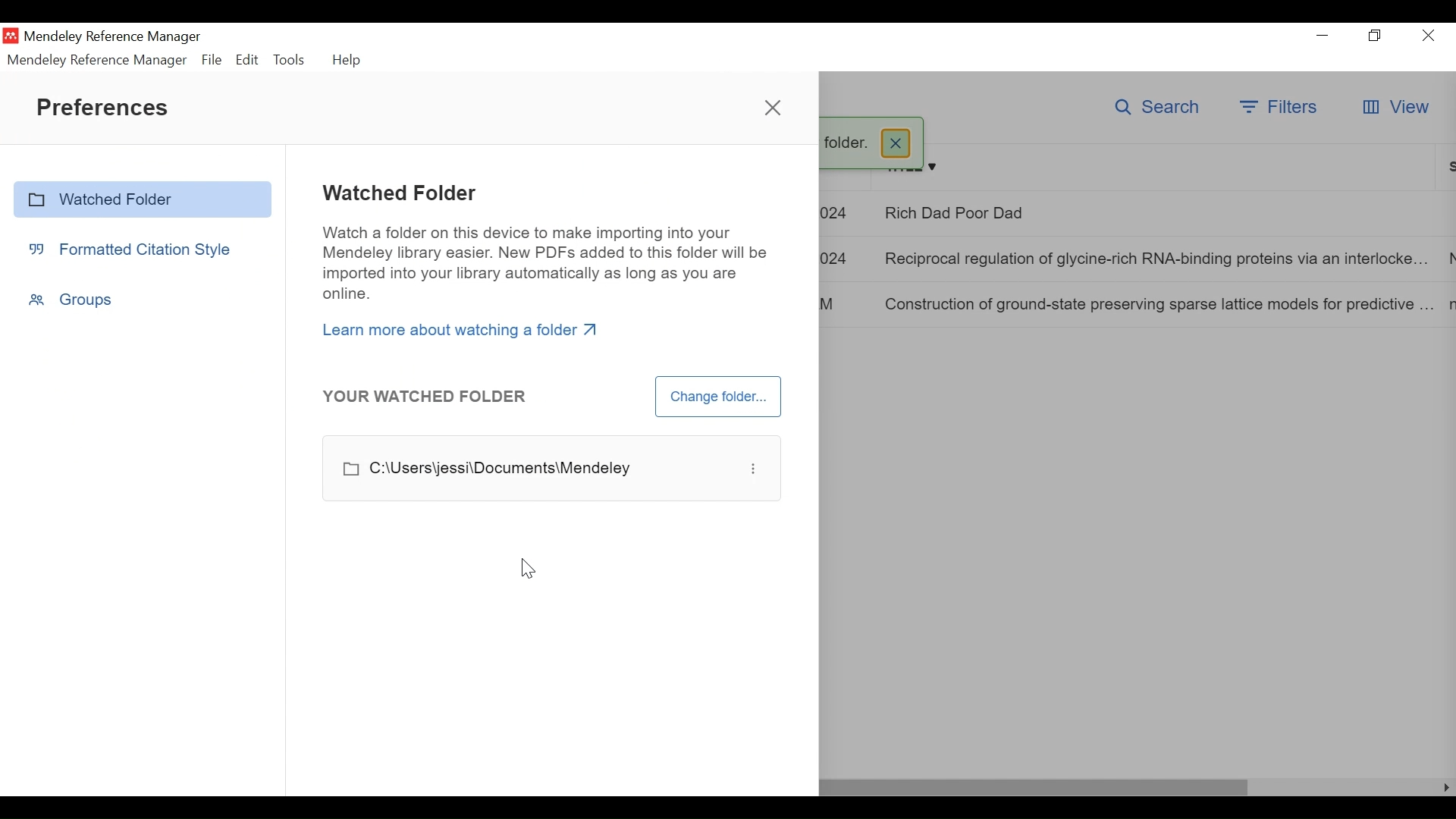 This screenshot has width=1456, height=819. Describe the element at coordinates (10, 35) in the screenshot. I see `Mendeley Desktop Icn` at that location.